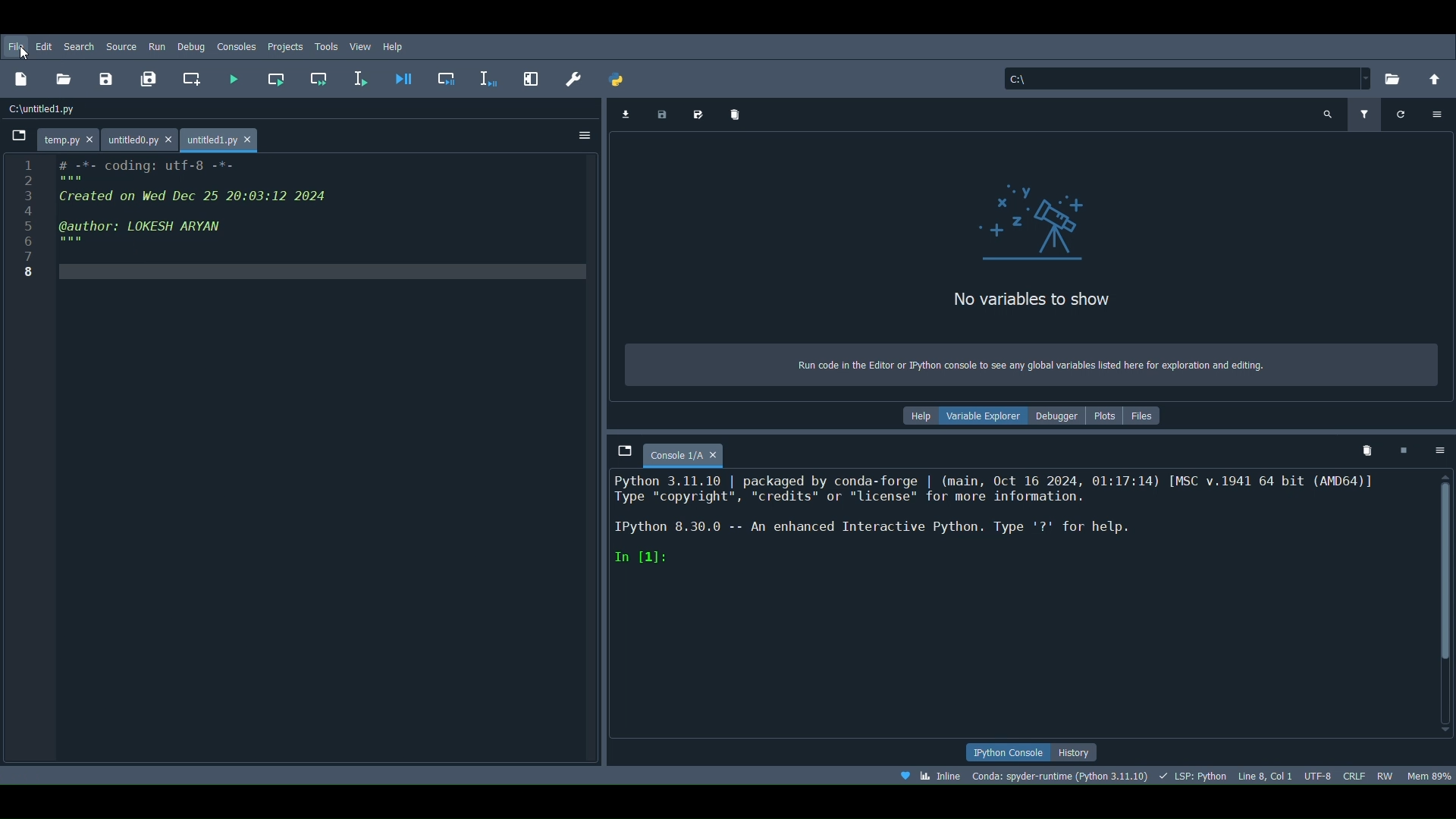 The height and width of the screenshot is (819, 1456). Describe the element at coordinates (1266, 774) in the screenshot. I see `Cursor position` at that location.